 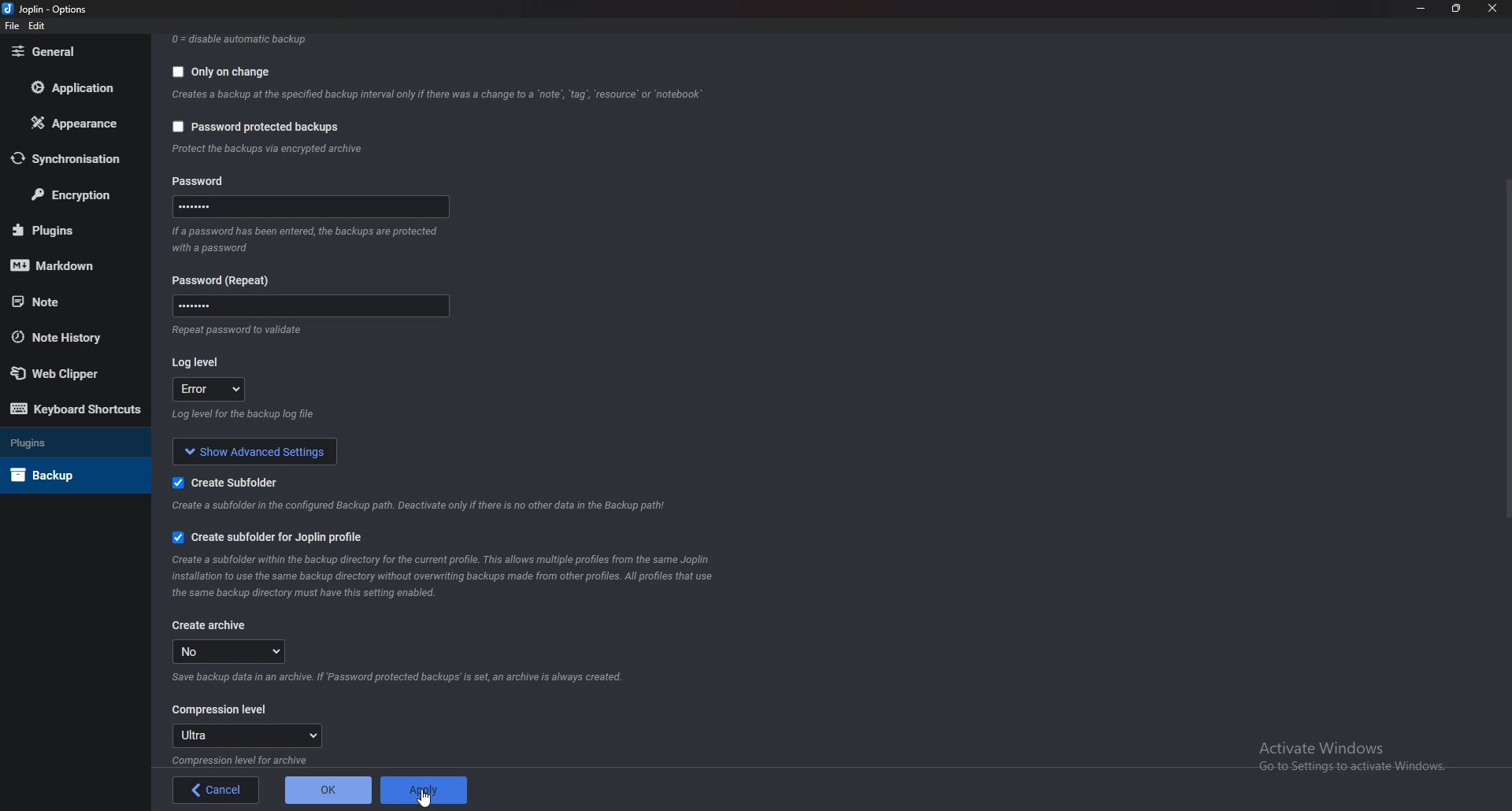 I want to click on Info, so click(x=239, y=332).